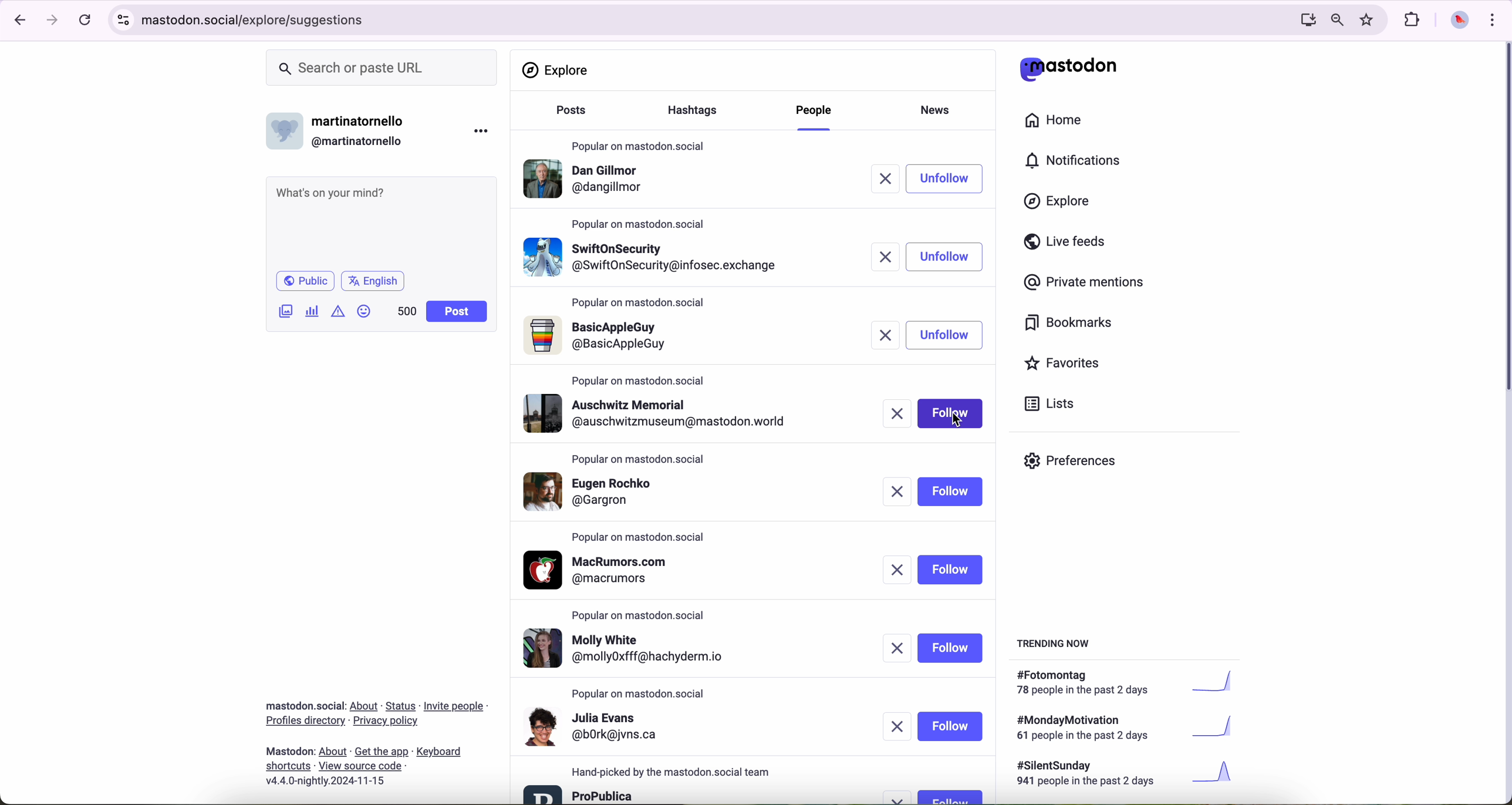 The image size is (1512, 805). I want to click on remove, so click(887, 256).